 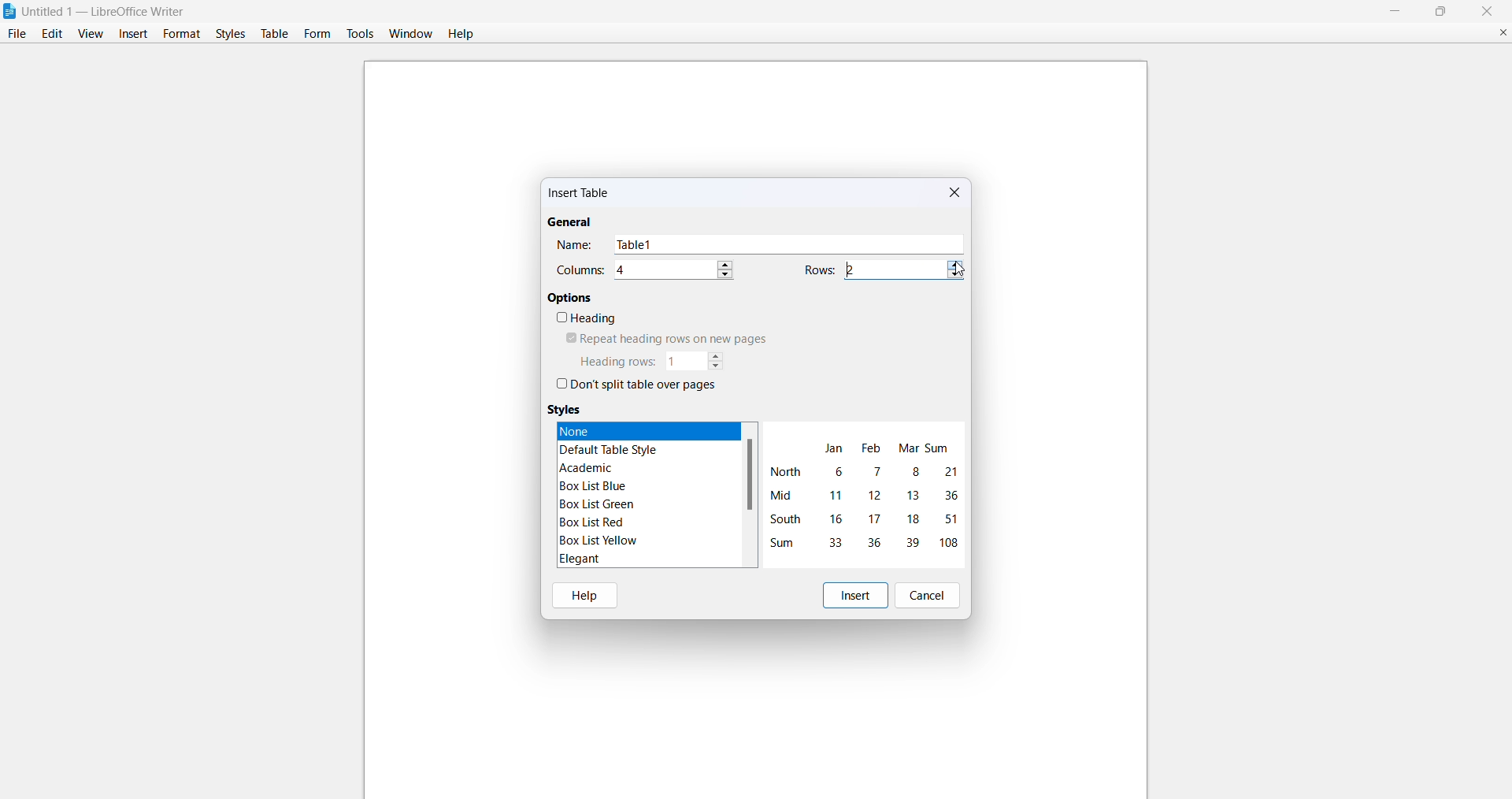 I want to click on box list green, so click(x=598, y=504).